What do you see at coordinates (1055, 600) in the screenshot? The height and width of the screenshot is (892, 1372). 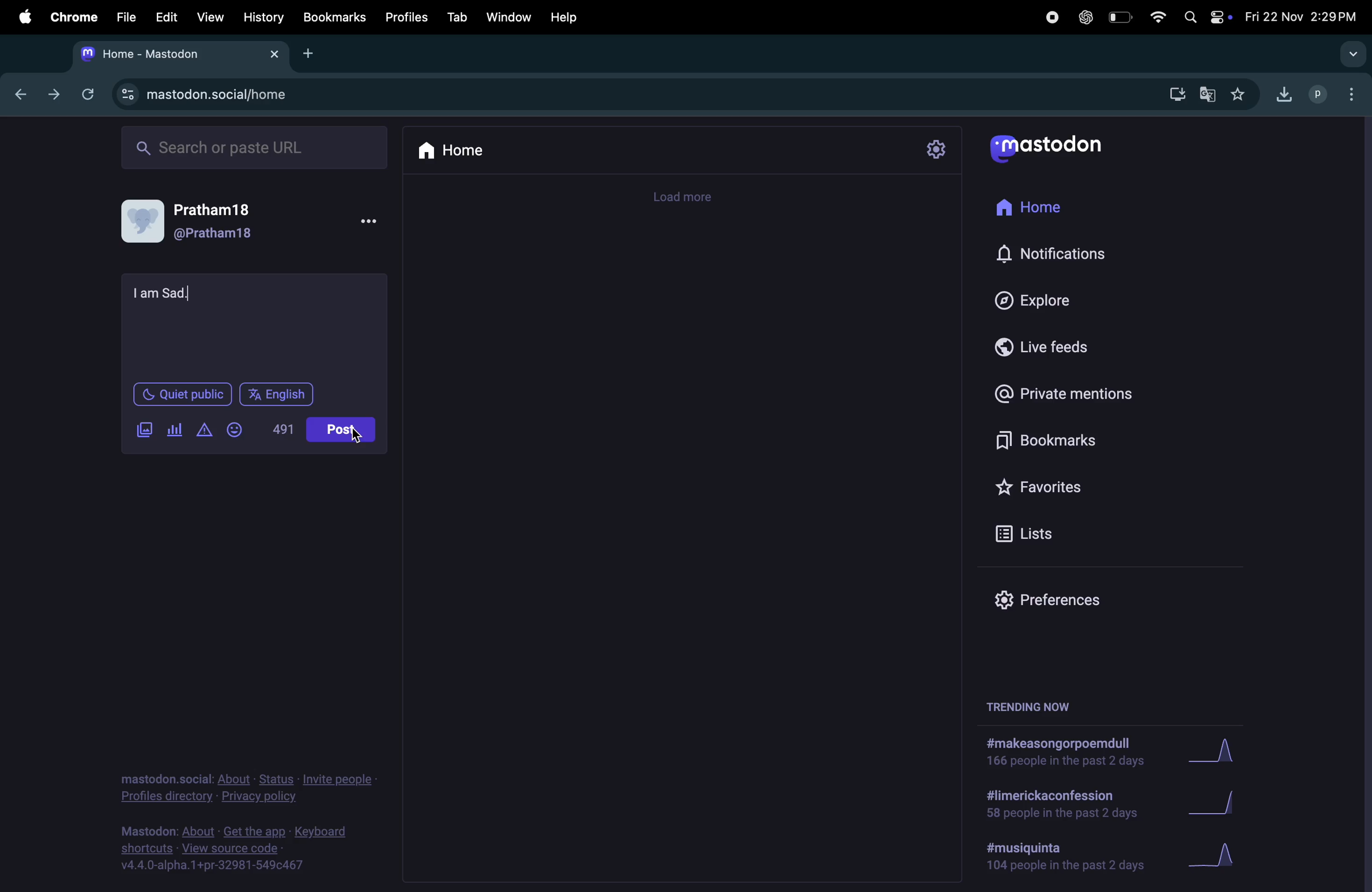 I see `prefrences` at bounding box center [1055, 600].